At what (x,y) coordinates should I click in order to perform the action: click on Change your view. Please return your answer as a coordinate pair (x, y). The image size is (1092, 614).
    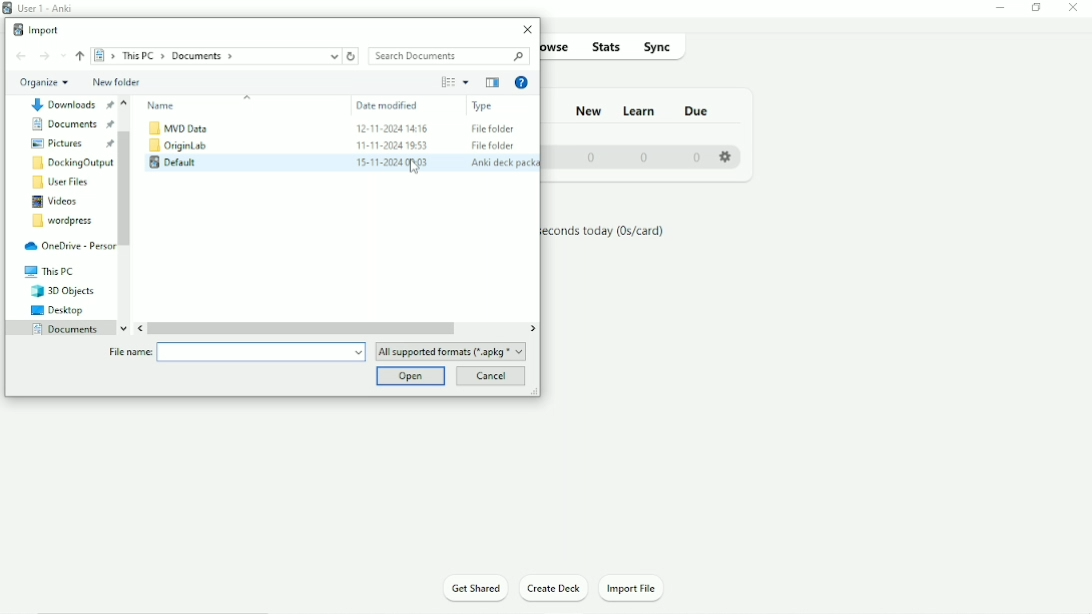
    Looking at the image, I should click on (448, 83).